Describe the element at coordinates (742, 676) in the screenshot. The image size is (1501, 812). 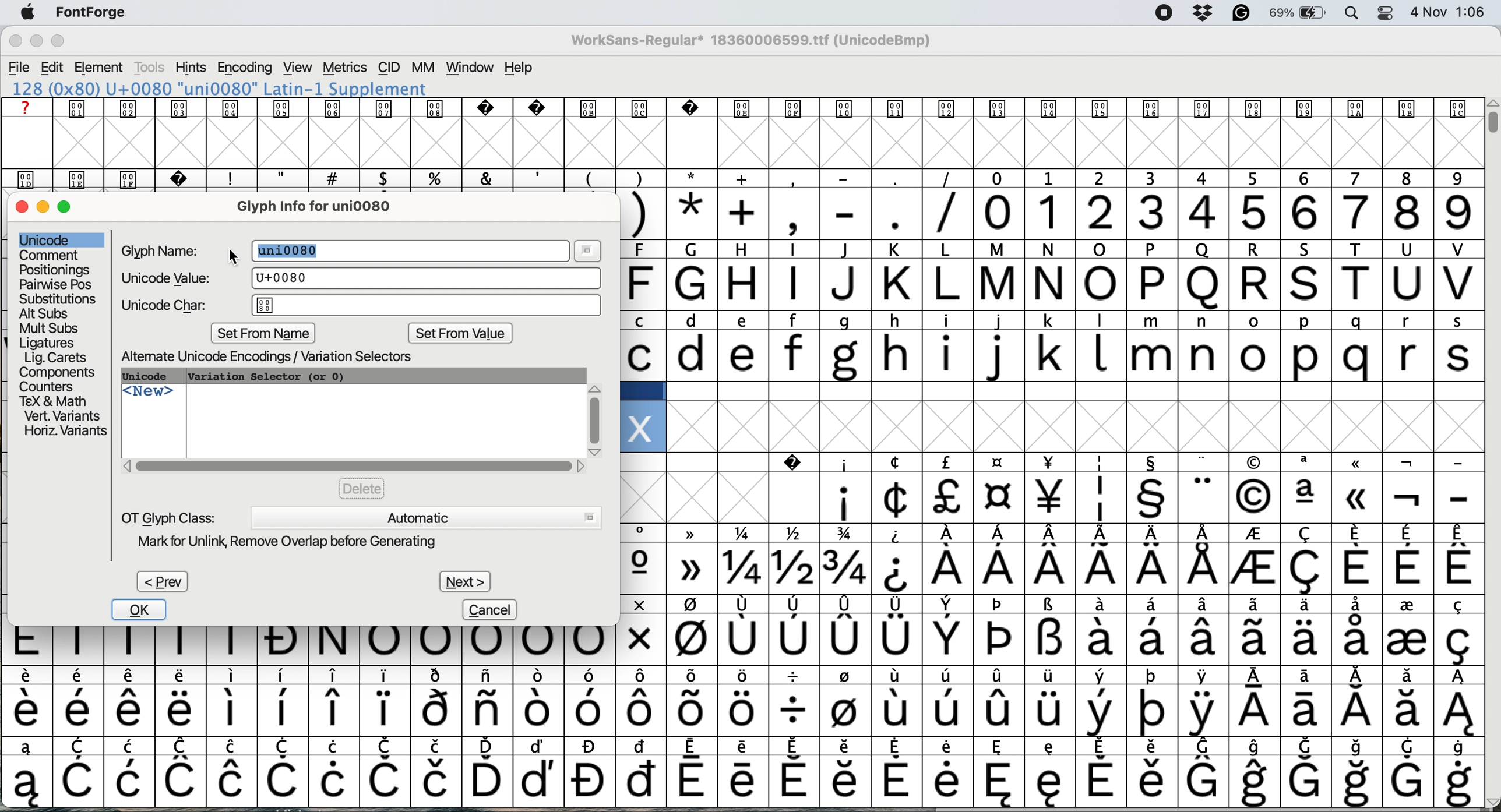
I see `special characters` at that location.